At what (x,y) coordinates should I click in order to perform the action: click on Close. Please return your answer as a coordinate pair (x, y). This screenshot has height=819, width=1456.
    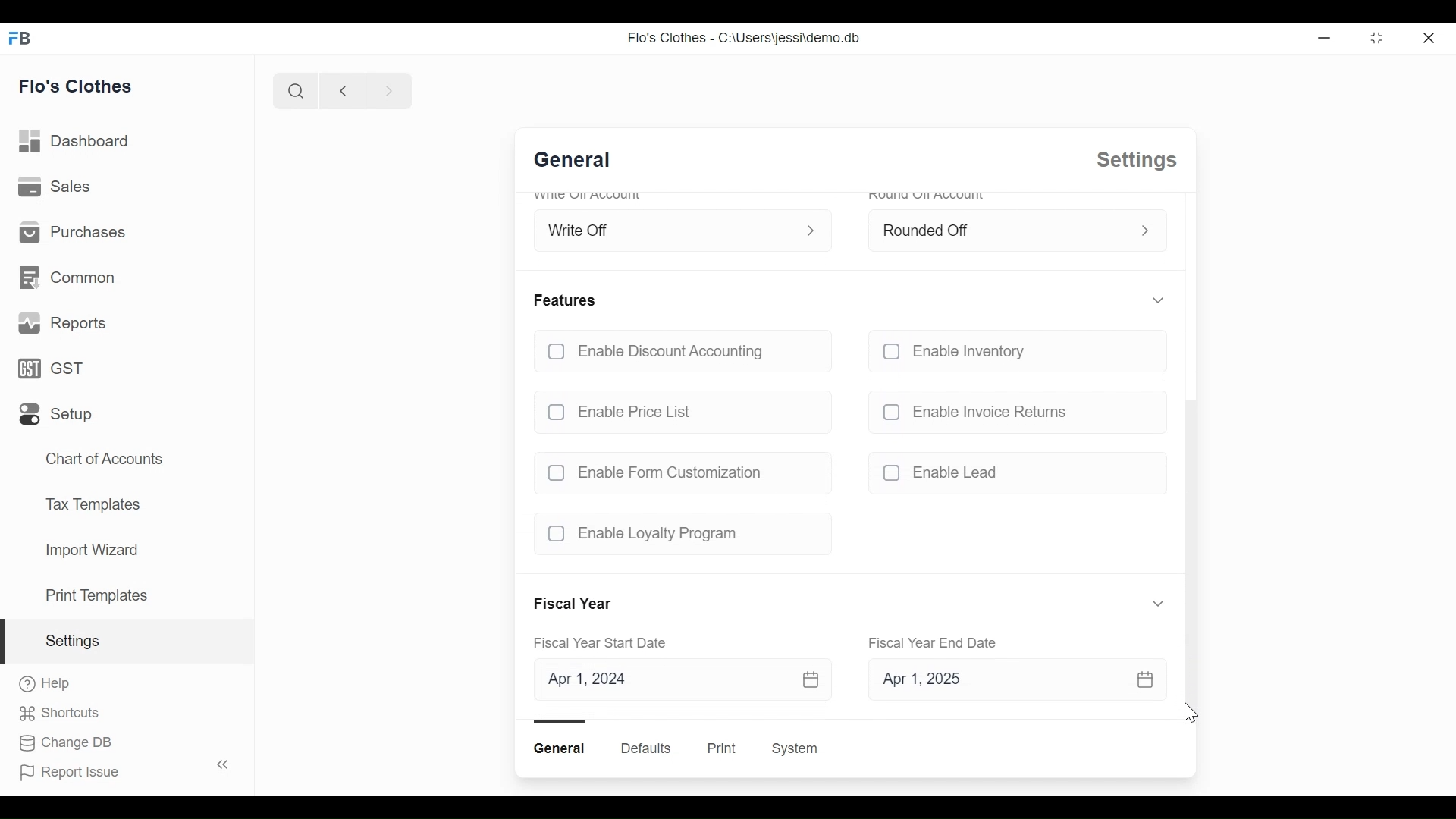
    Looking at the image, I should click on (1431, 36).